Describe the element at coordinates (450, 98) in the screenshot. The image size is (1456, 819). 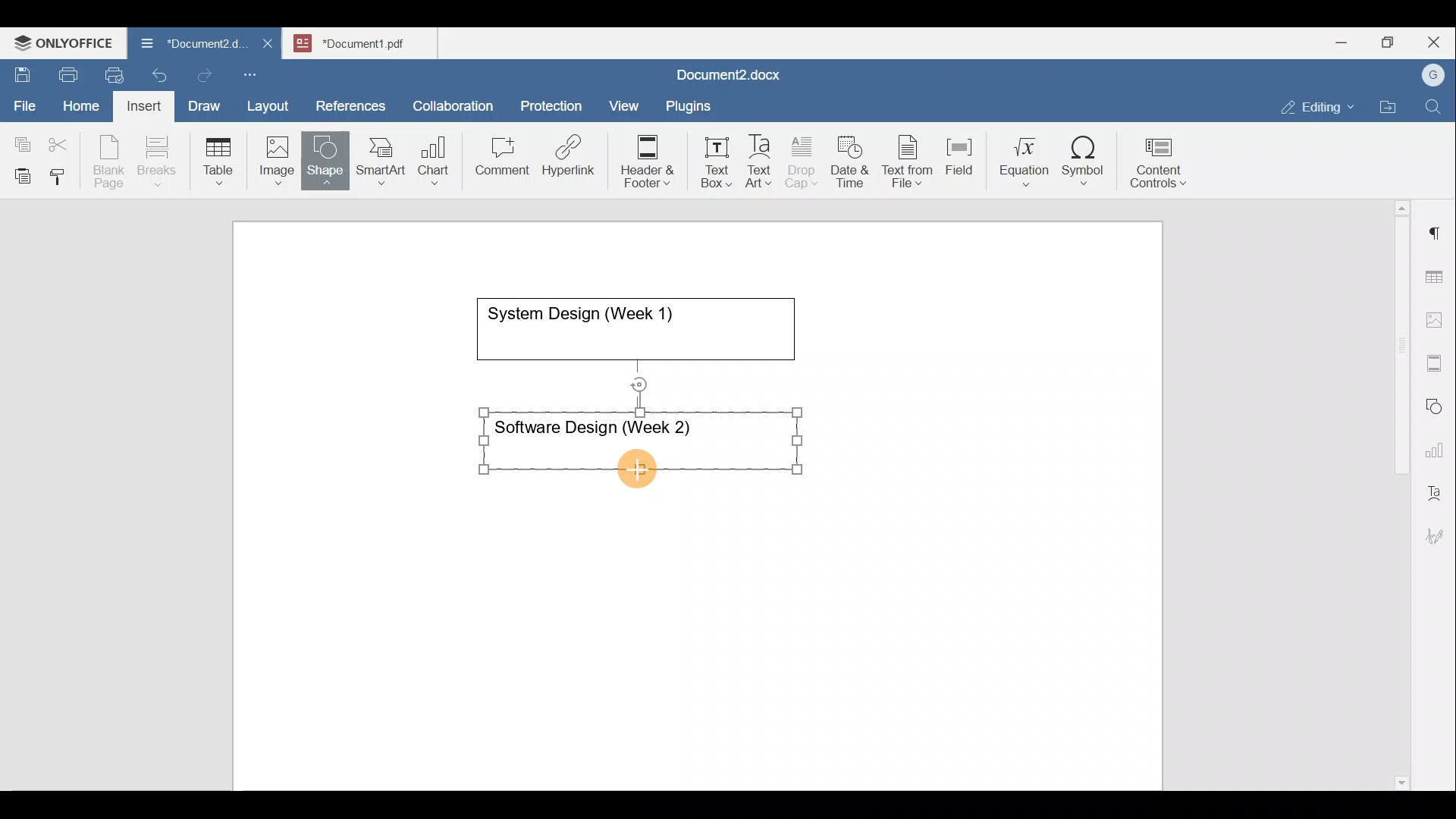
I see `Collaboration` at that location.